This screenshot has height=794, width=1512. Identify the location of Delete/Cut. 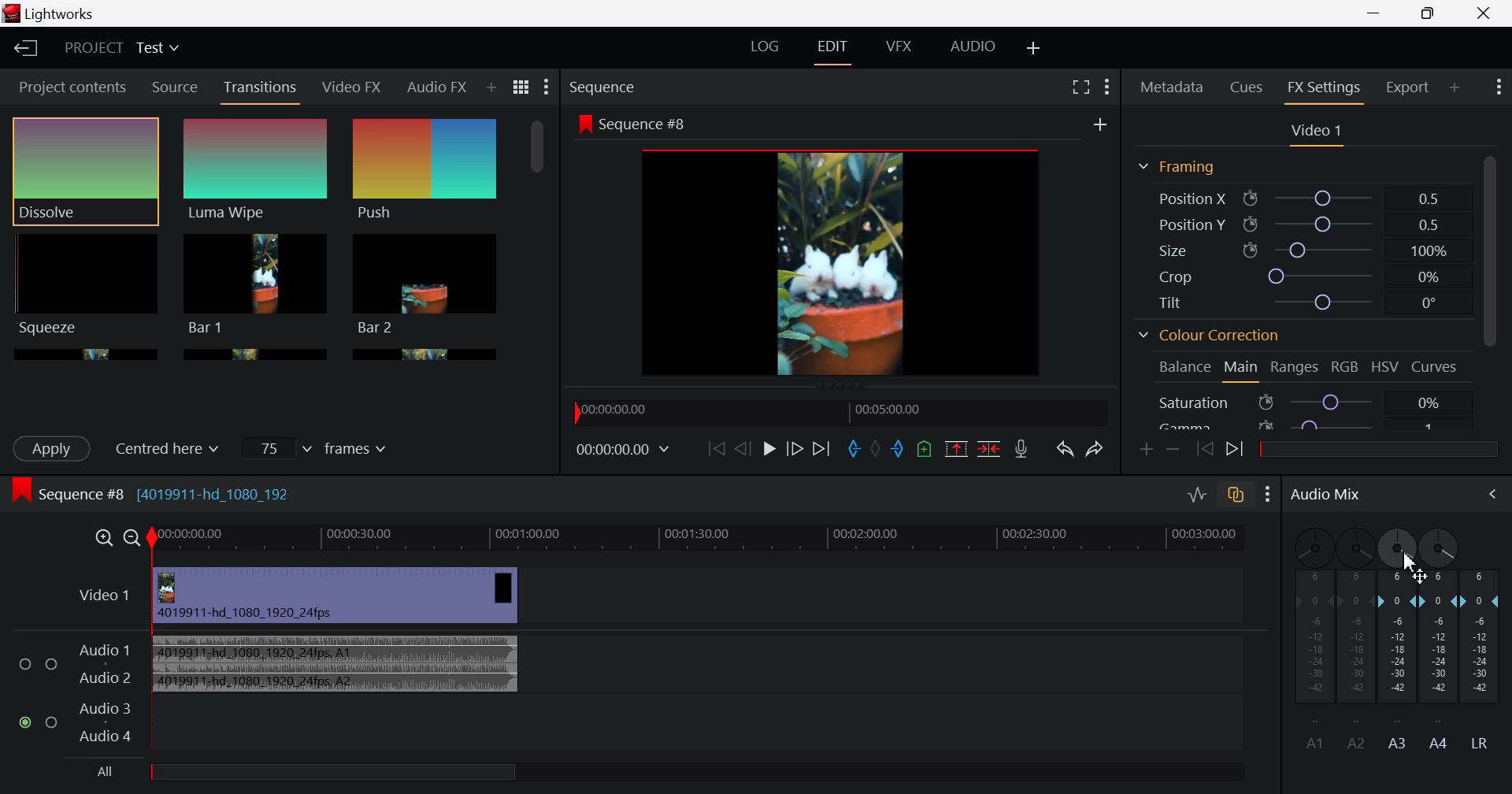
(991, 448).